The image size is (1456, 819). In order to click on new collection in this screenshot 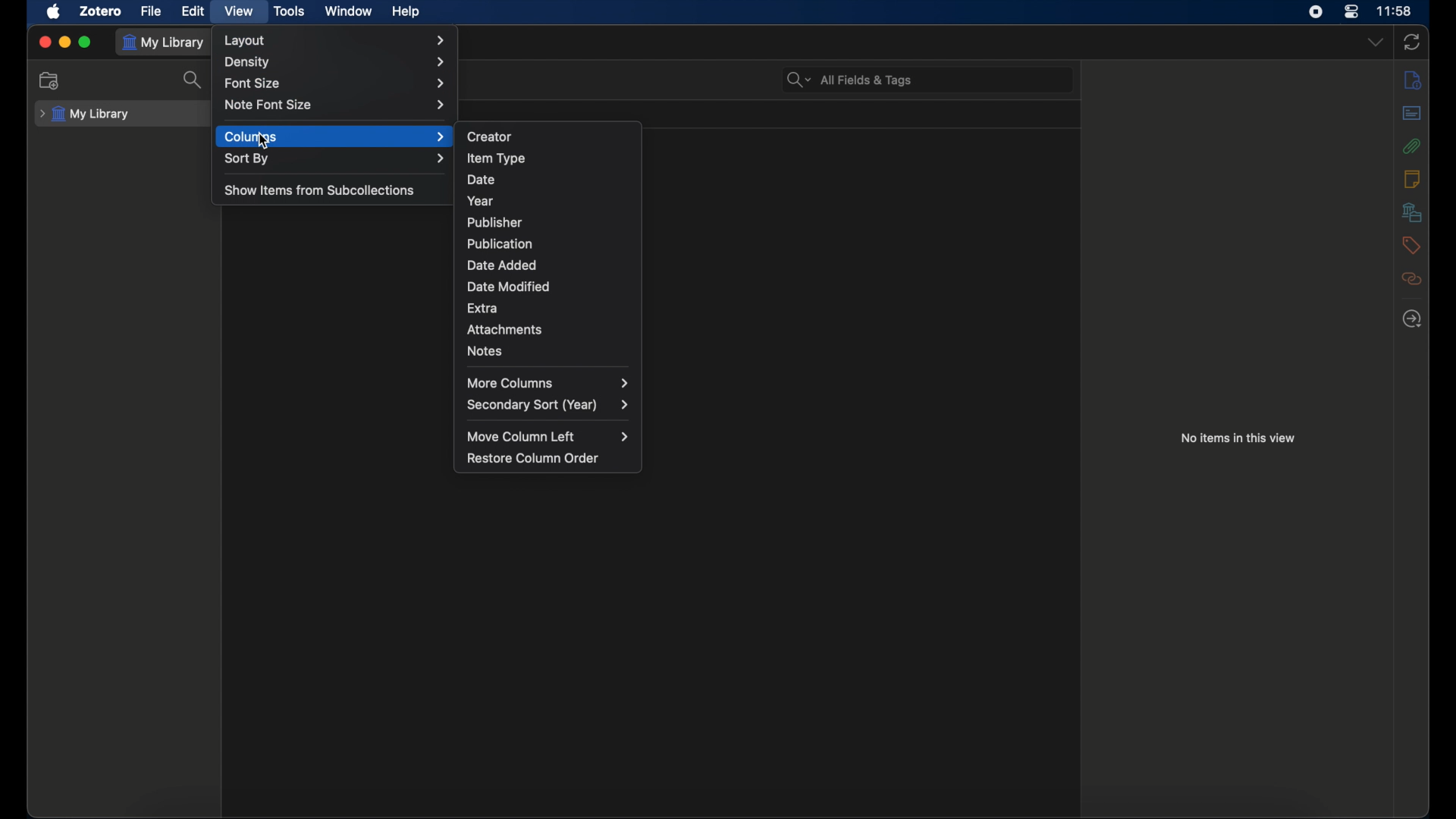, I will do `click(50, 81)`.